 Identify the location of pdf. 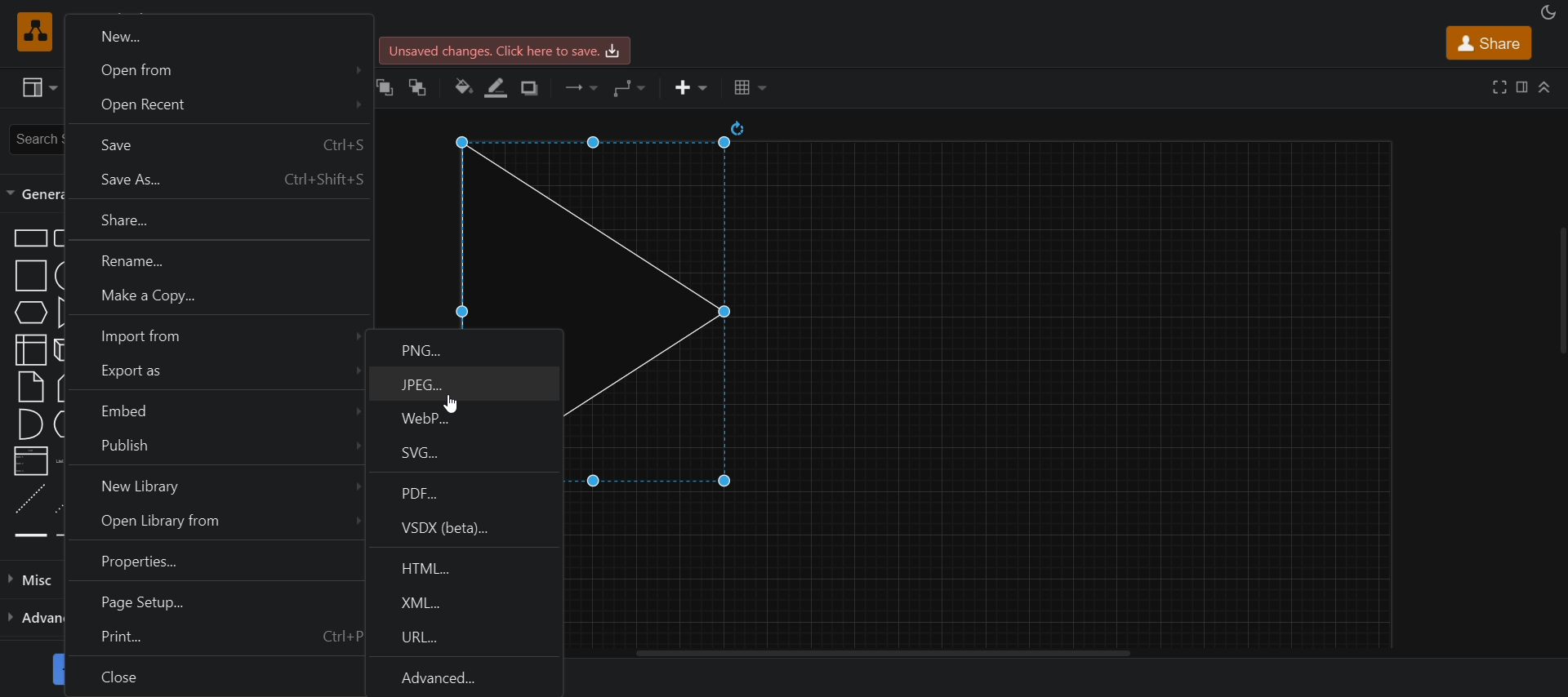
(466, 491).